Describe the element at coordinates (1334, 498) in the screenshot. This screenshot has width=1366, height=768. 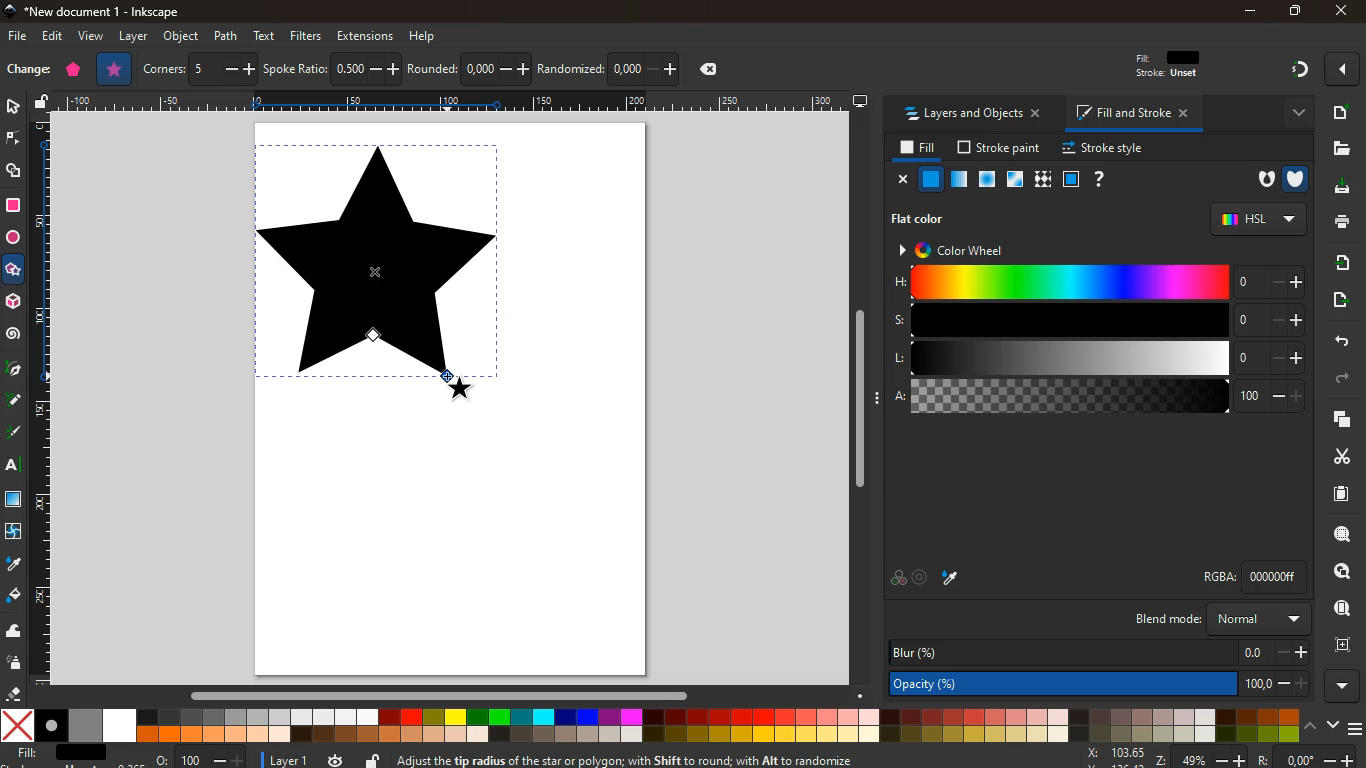
I see `sheet` at that location.